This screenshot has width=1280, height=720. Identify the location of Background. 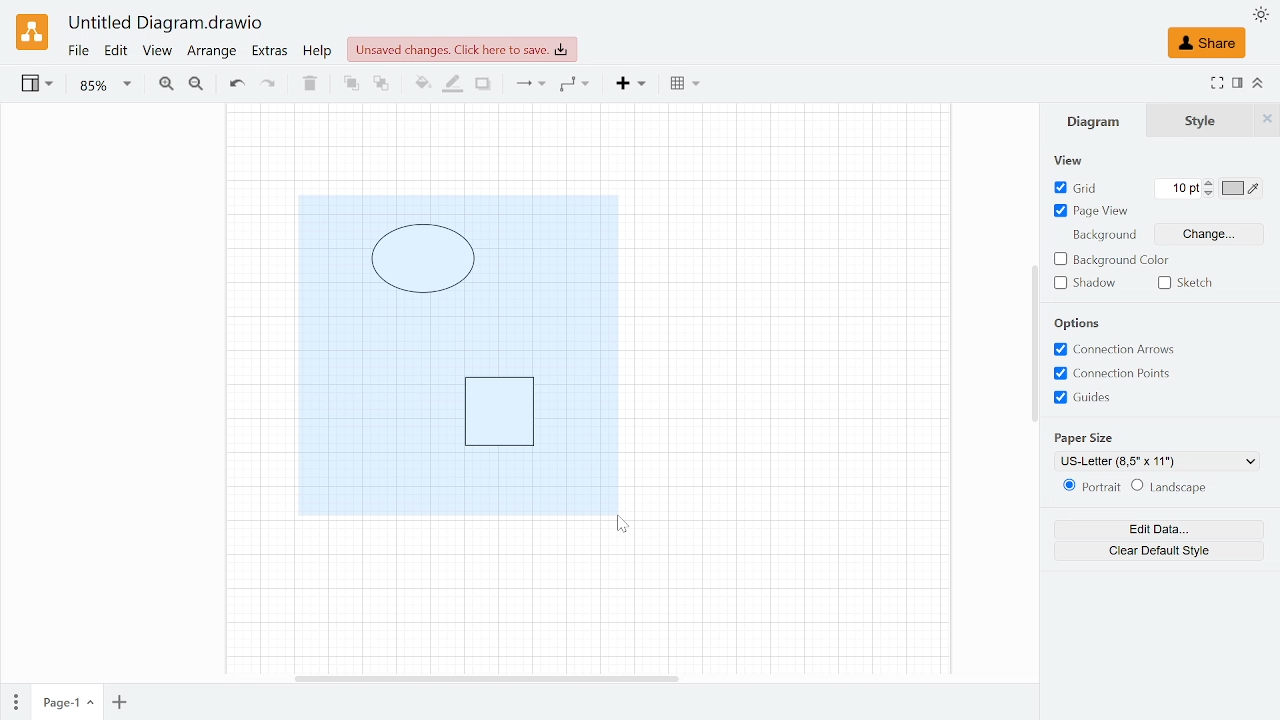
(1102, 237).